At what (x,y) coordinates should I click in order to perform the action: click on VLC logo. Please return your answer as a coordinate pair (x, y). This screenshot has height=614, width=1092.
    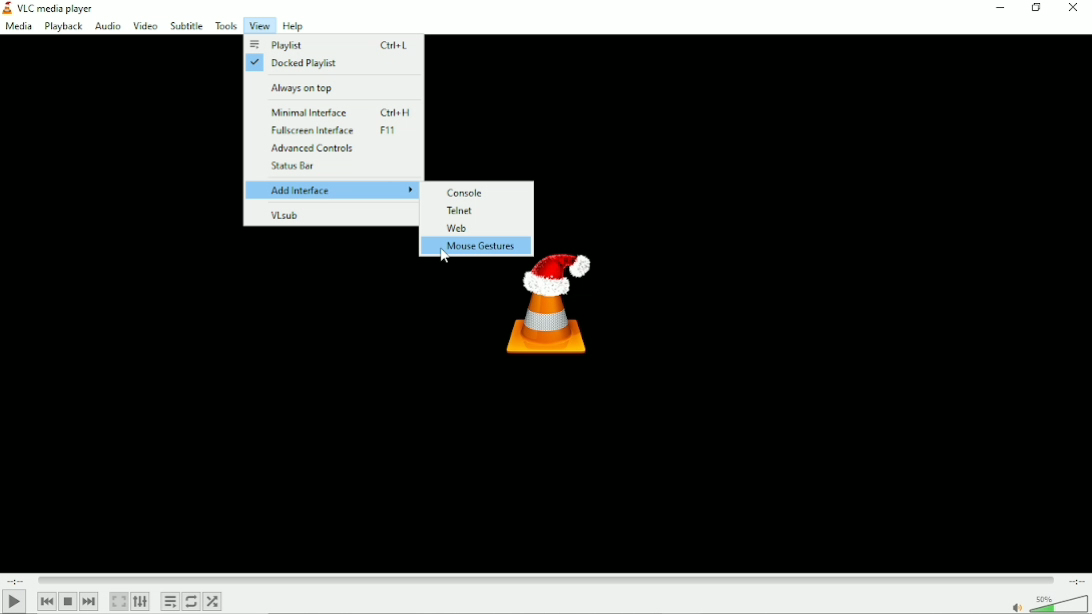
    Looking at the image, I should click on (7, 7).